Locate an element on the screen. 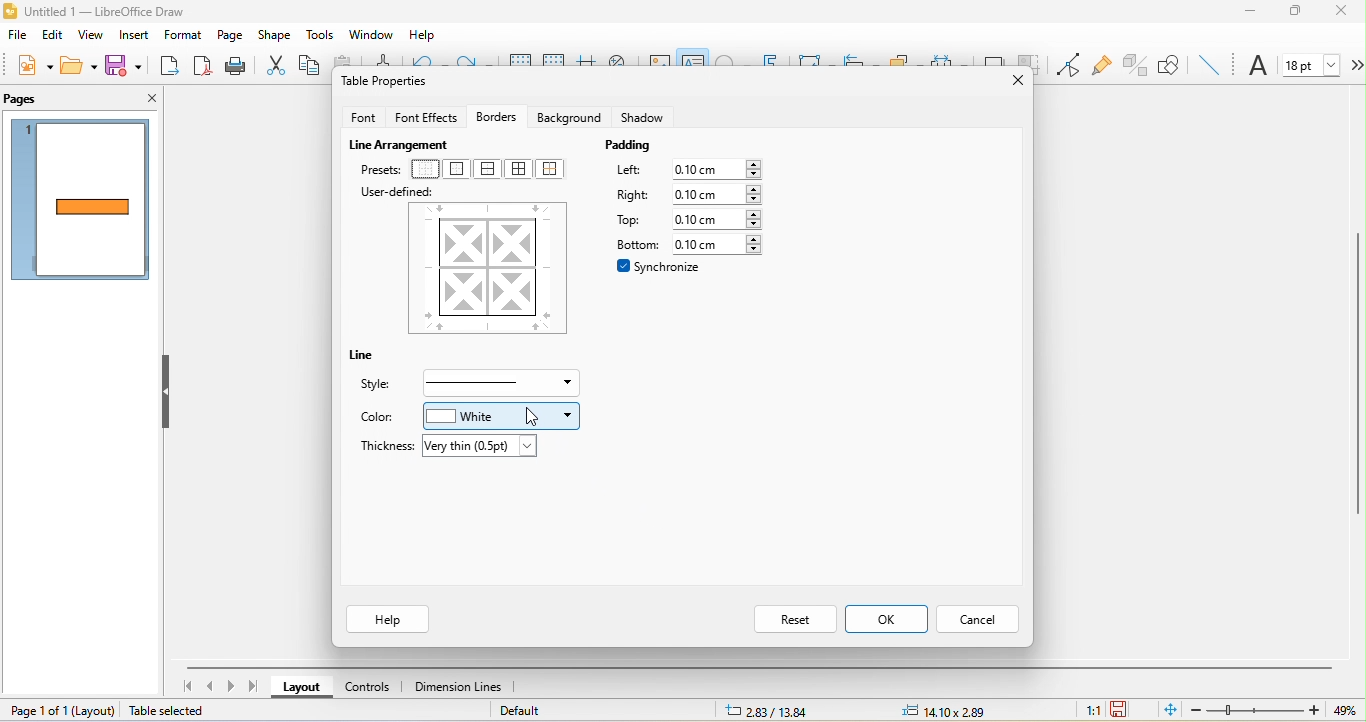 The width and height of the screenshot is (1366, 722). outer border only is located at coordinates (461, 170).